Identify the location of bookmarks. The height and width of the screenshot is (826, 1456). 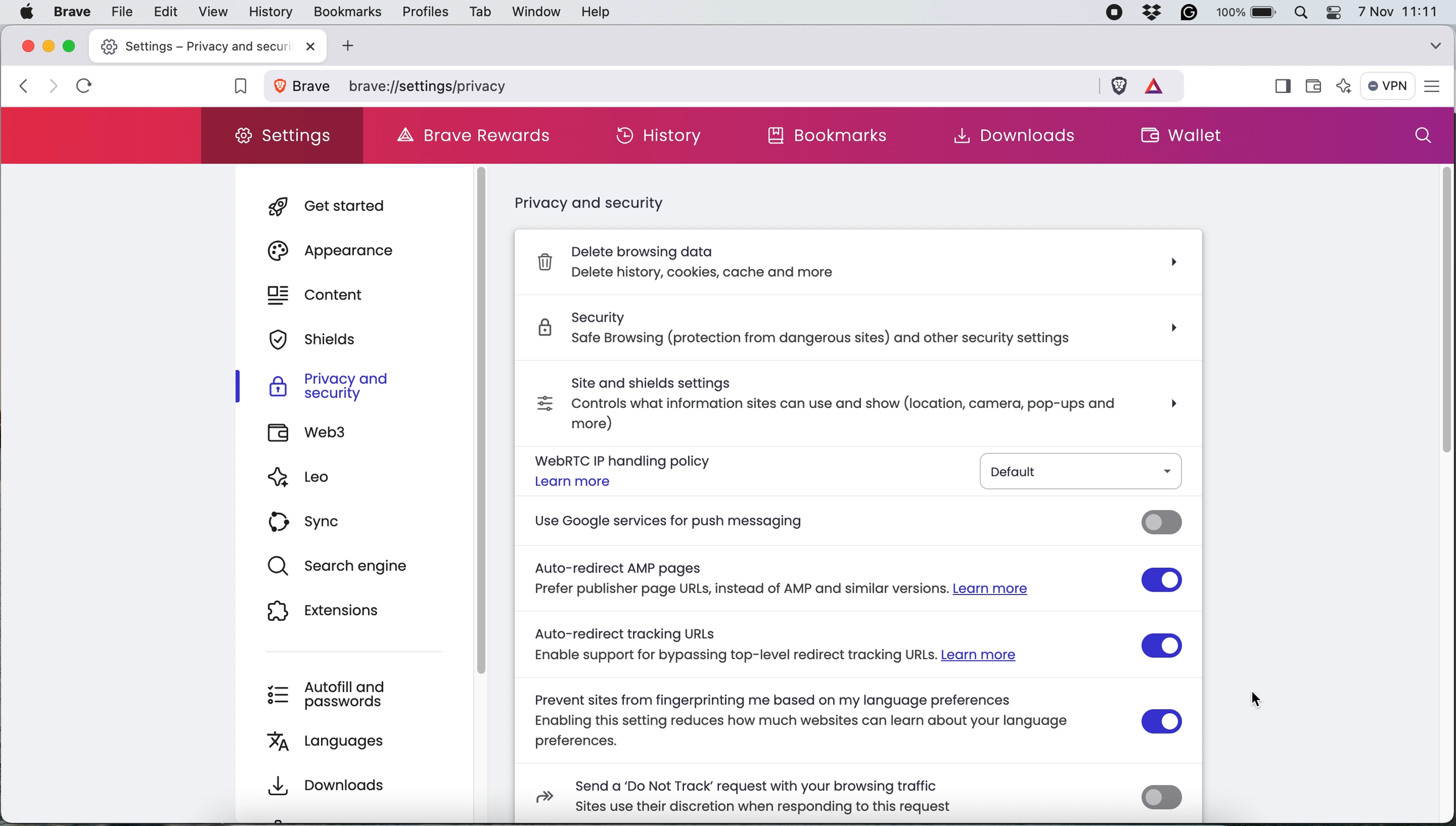
(832, 136).